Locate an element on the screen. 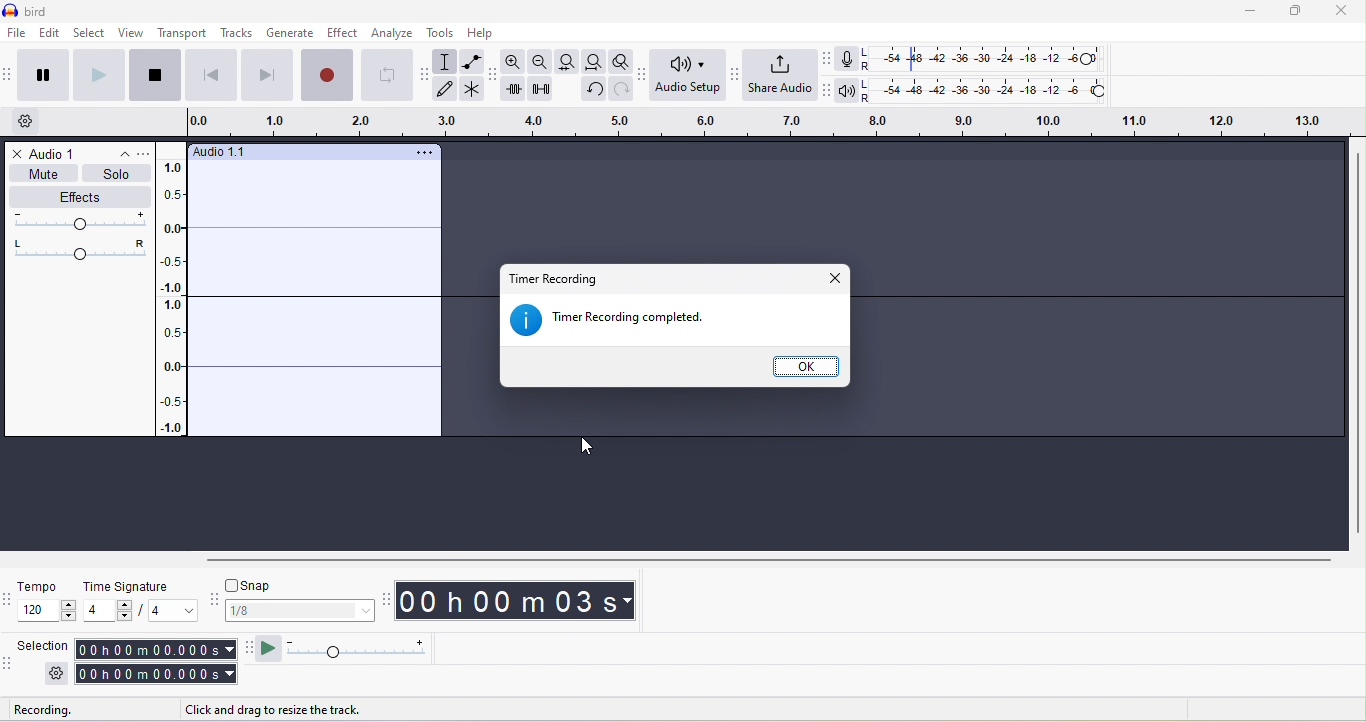 The width and height of the screenshot is (1366, 722). effect is located at coordinates (340, 34).